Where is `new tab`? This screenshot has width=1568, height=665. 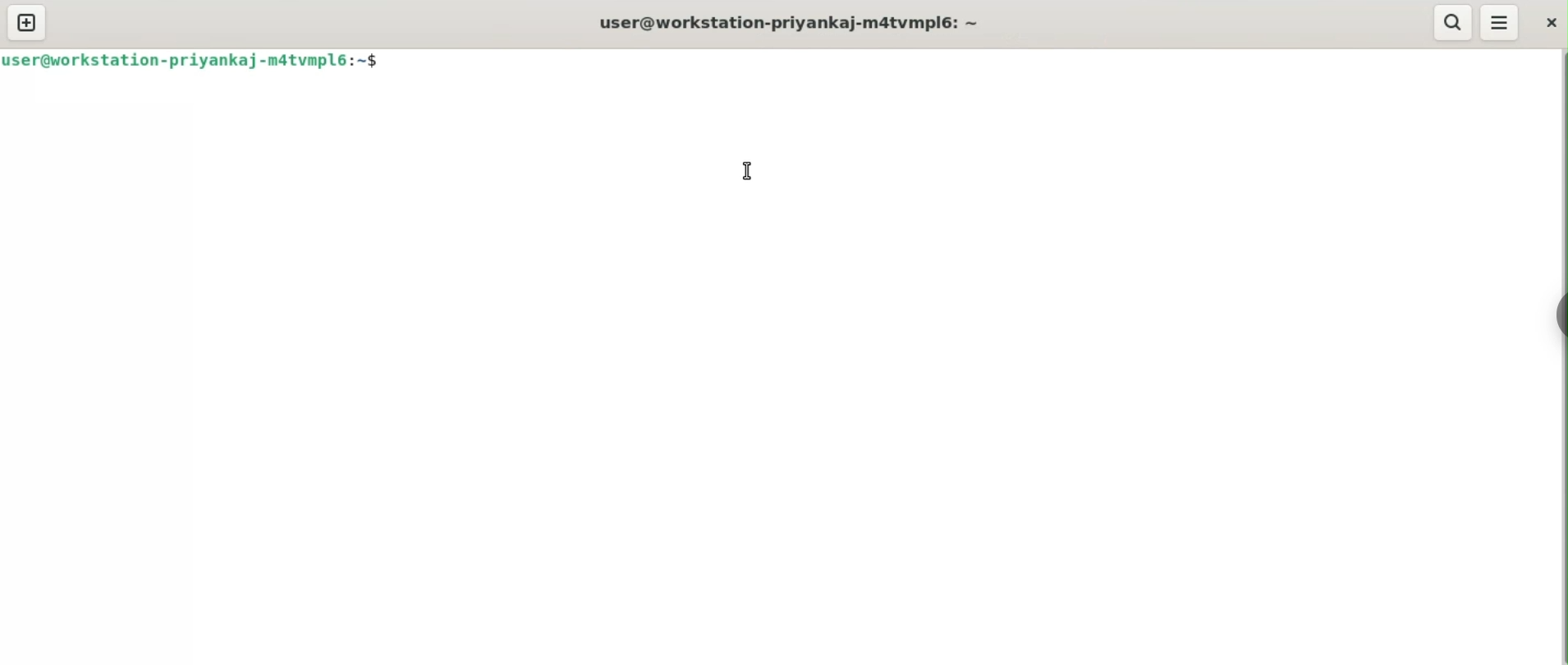 new tab is located at coordinates (27, 22).